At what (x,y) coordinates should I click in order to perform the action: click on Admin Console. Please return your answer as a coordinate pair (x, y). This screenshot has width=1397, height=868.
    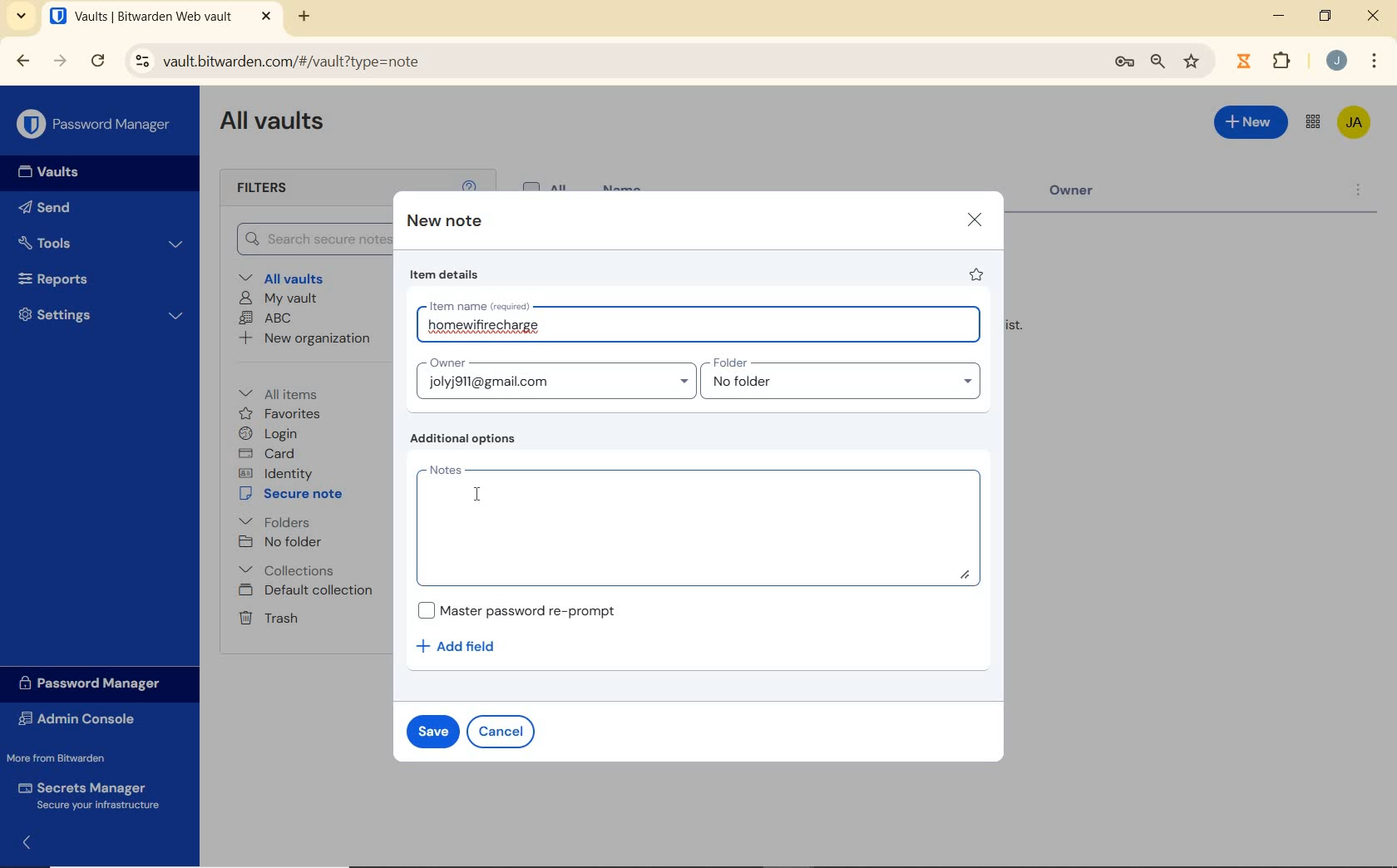
    Looking at the image, I should click on (86, 718).